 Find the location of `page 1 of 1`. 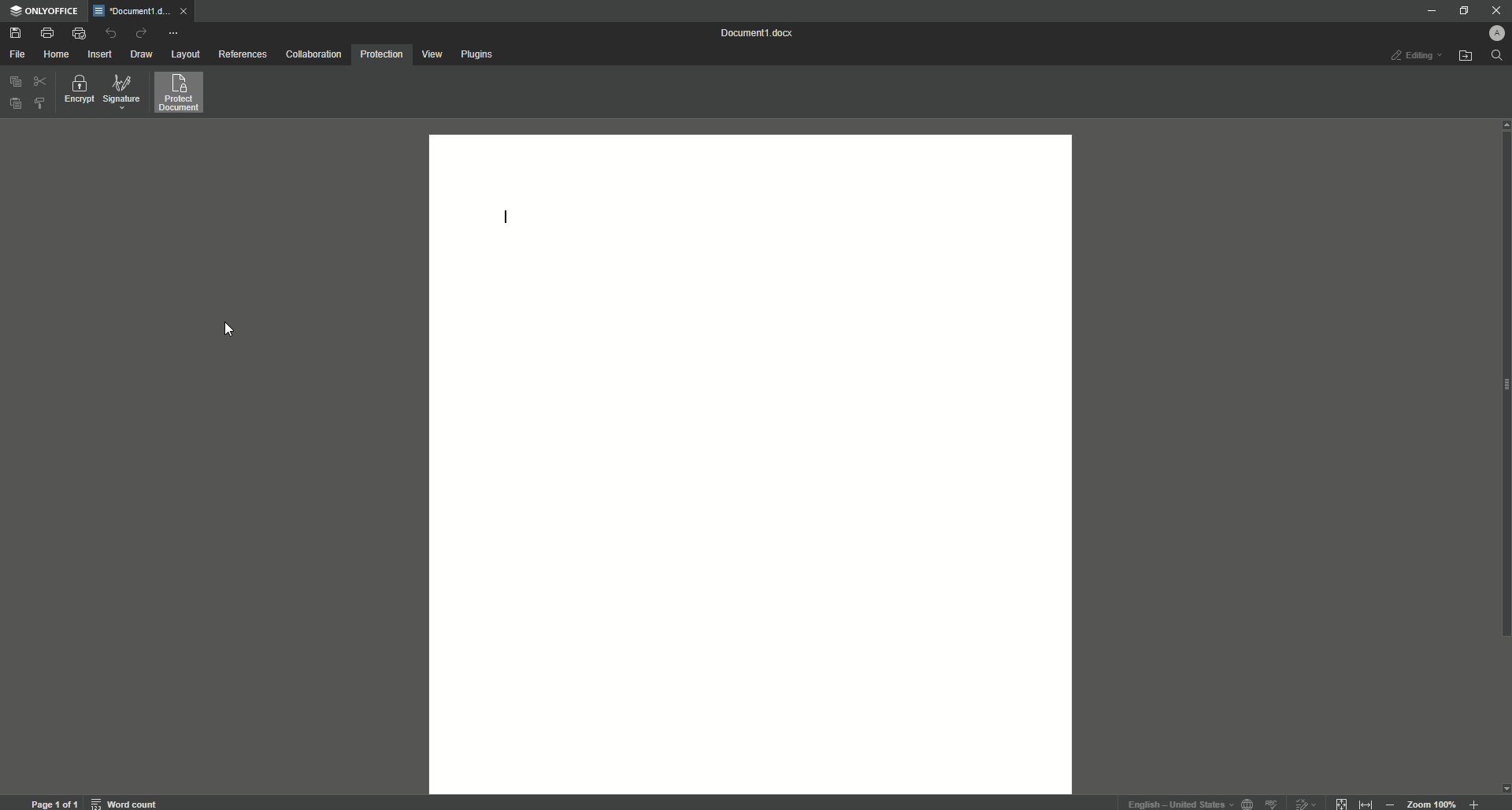

page 1 of 1 is located at coordinates (54, 803).